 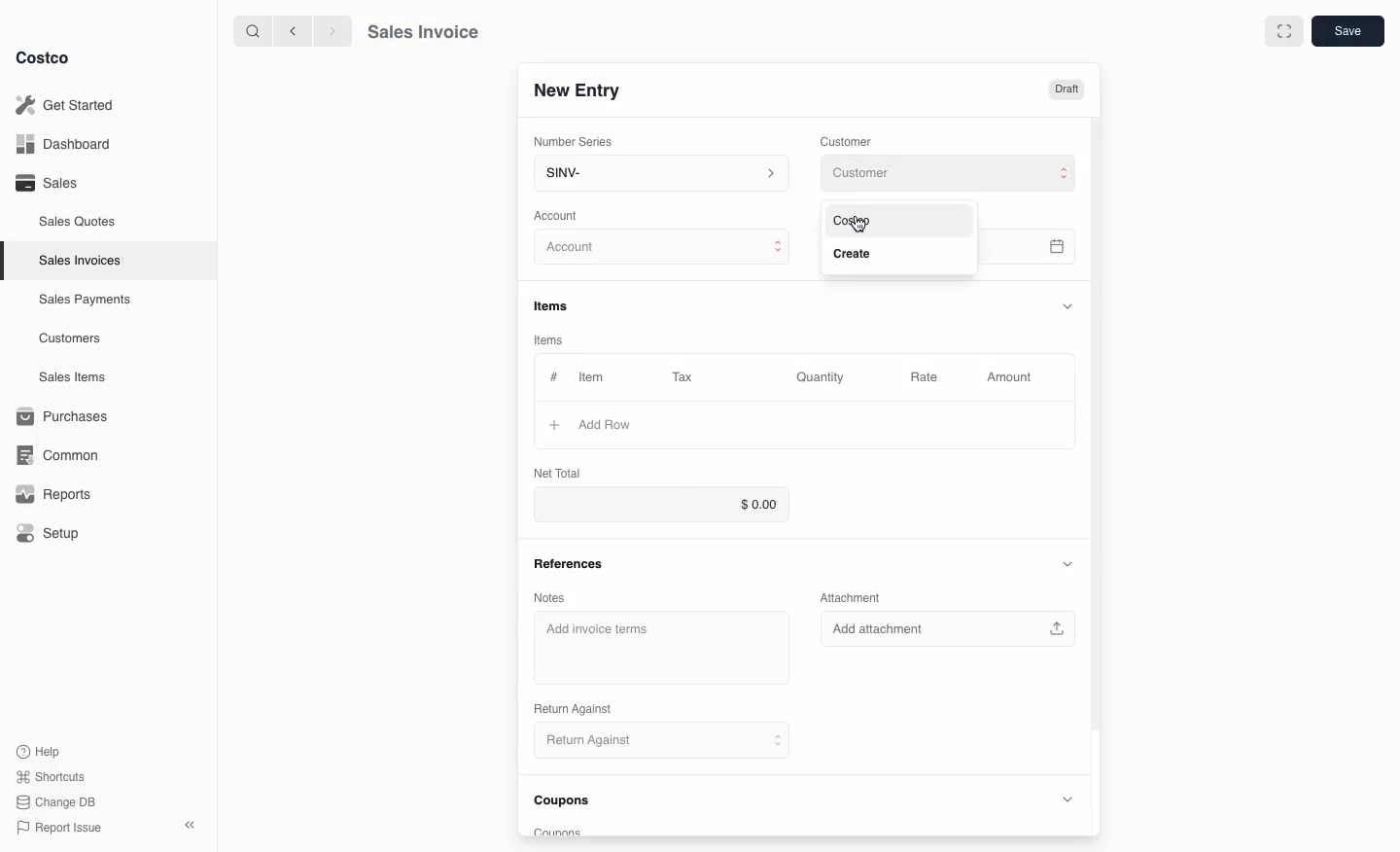 What do you see at coordinates (1347, 32) in the screenshot?
I see `Save` at bounding box center [1347, 32].